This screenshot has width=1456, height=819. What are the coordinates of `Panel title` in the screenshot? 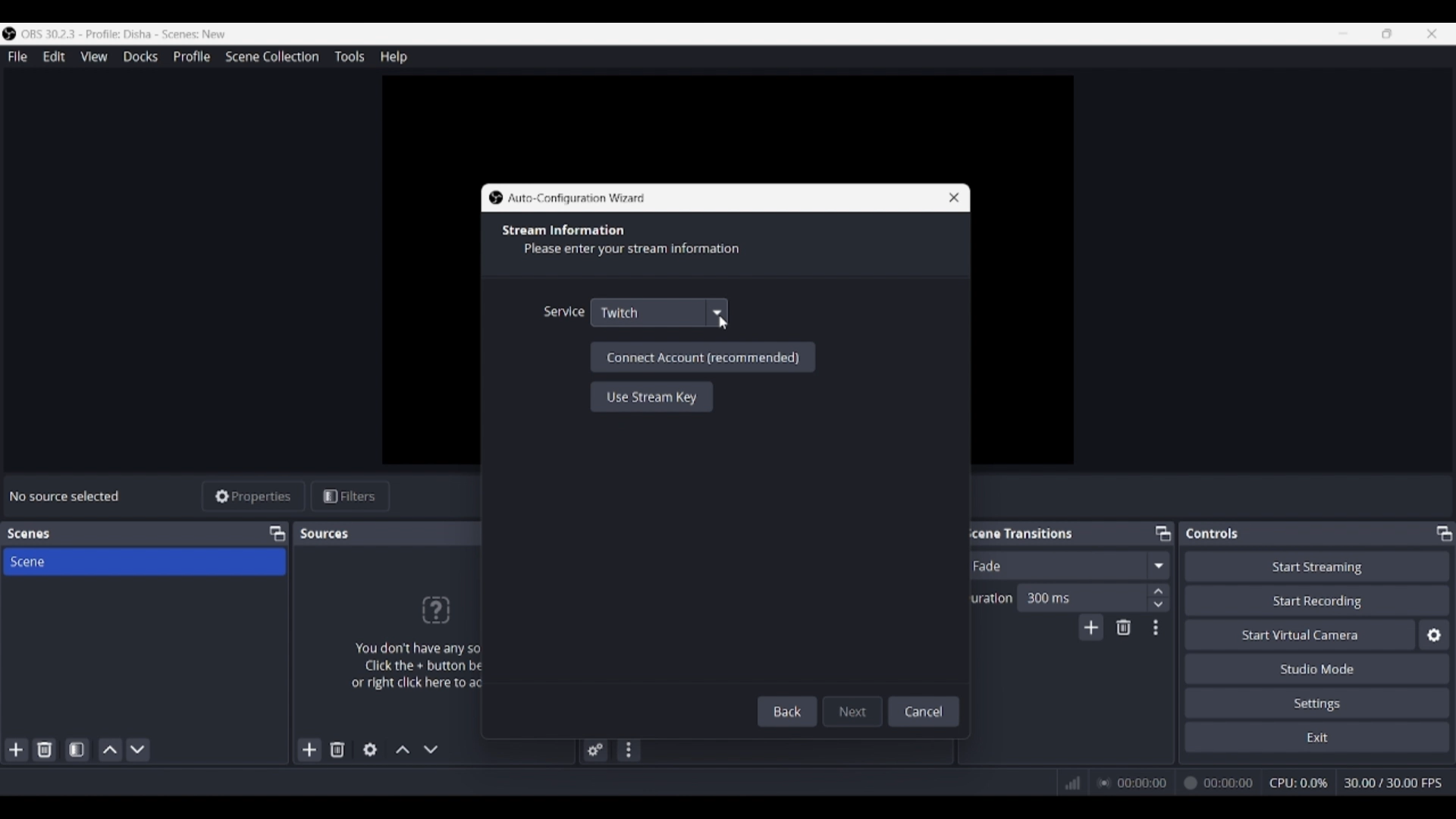 It's located at (1019, 532).